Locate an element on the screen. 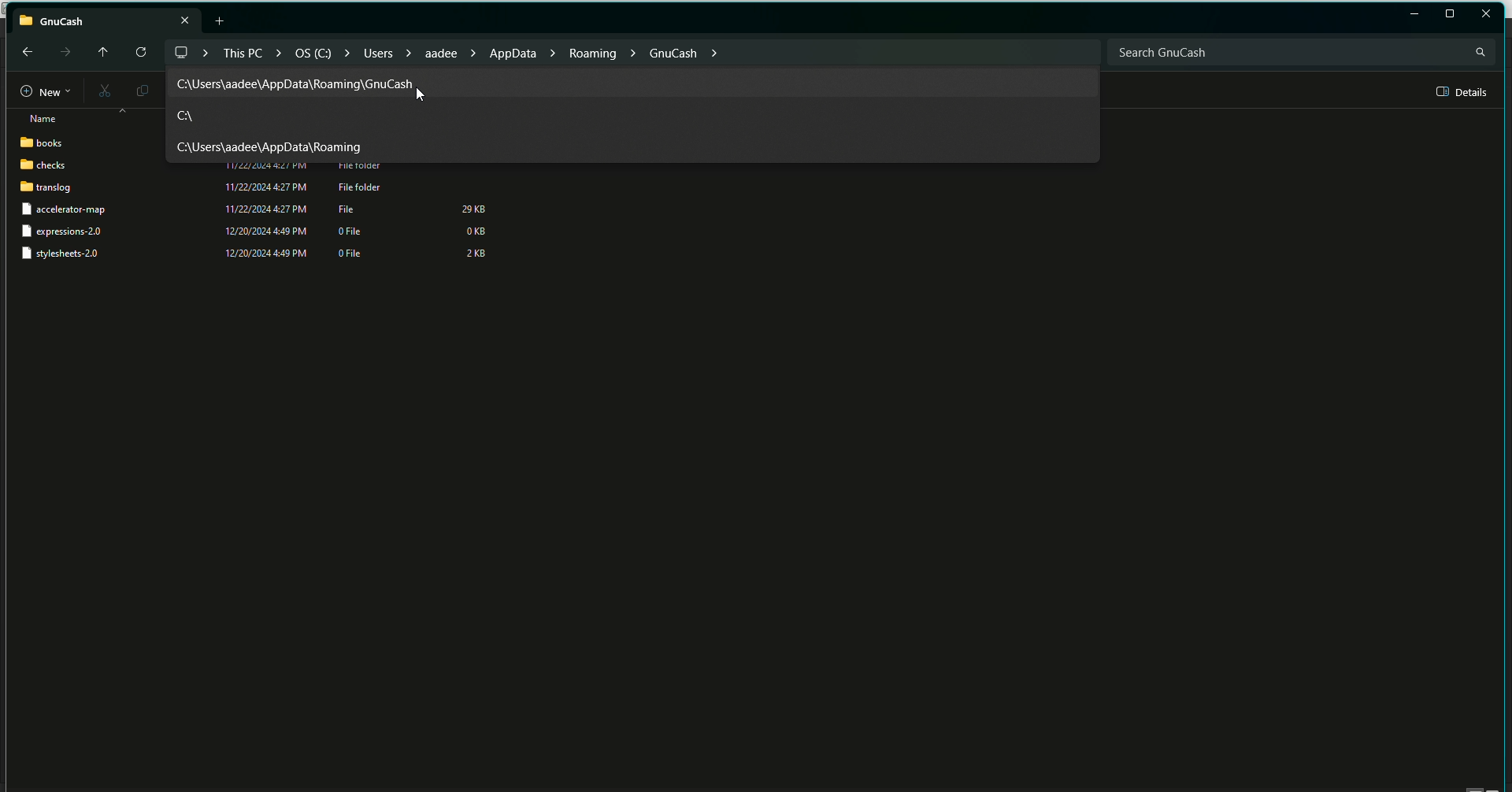 The image size is (1512, 792). Close is located at coordinates (1080, 50).